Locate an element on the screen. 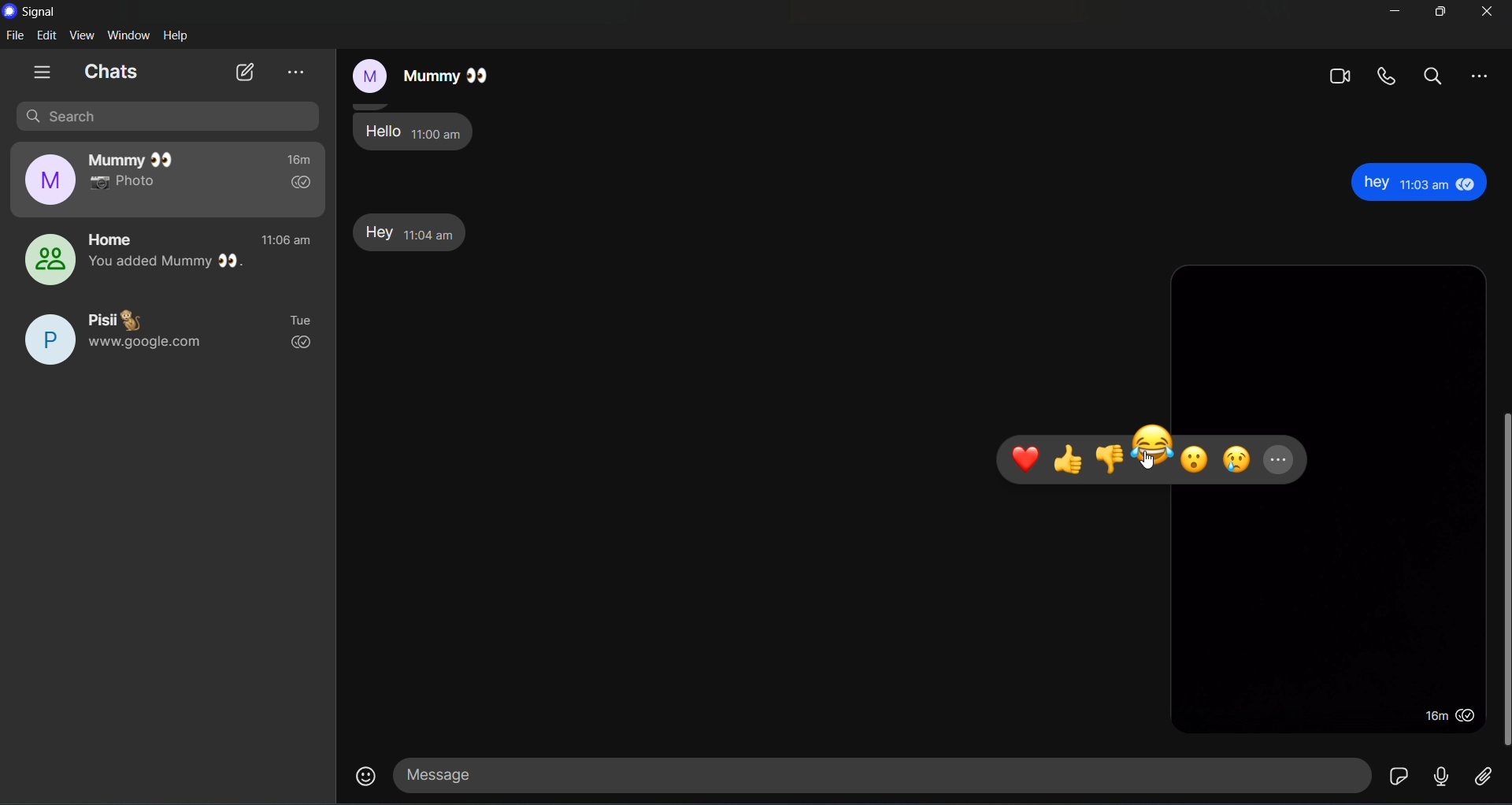  hey message is located at coordinates (1420, 183).